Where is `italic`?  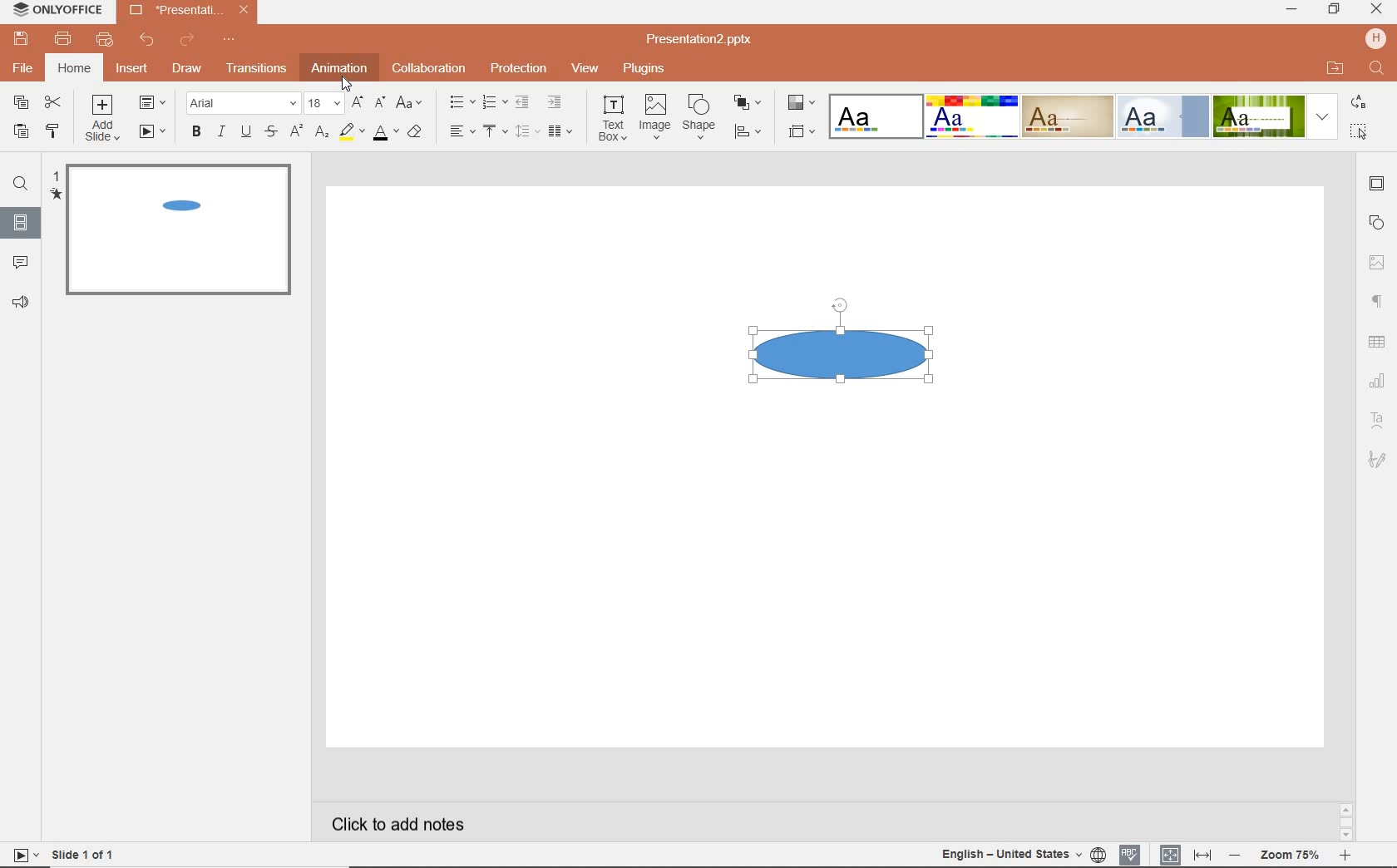
italic is located at coordinates (220, 131).